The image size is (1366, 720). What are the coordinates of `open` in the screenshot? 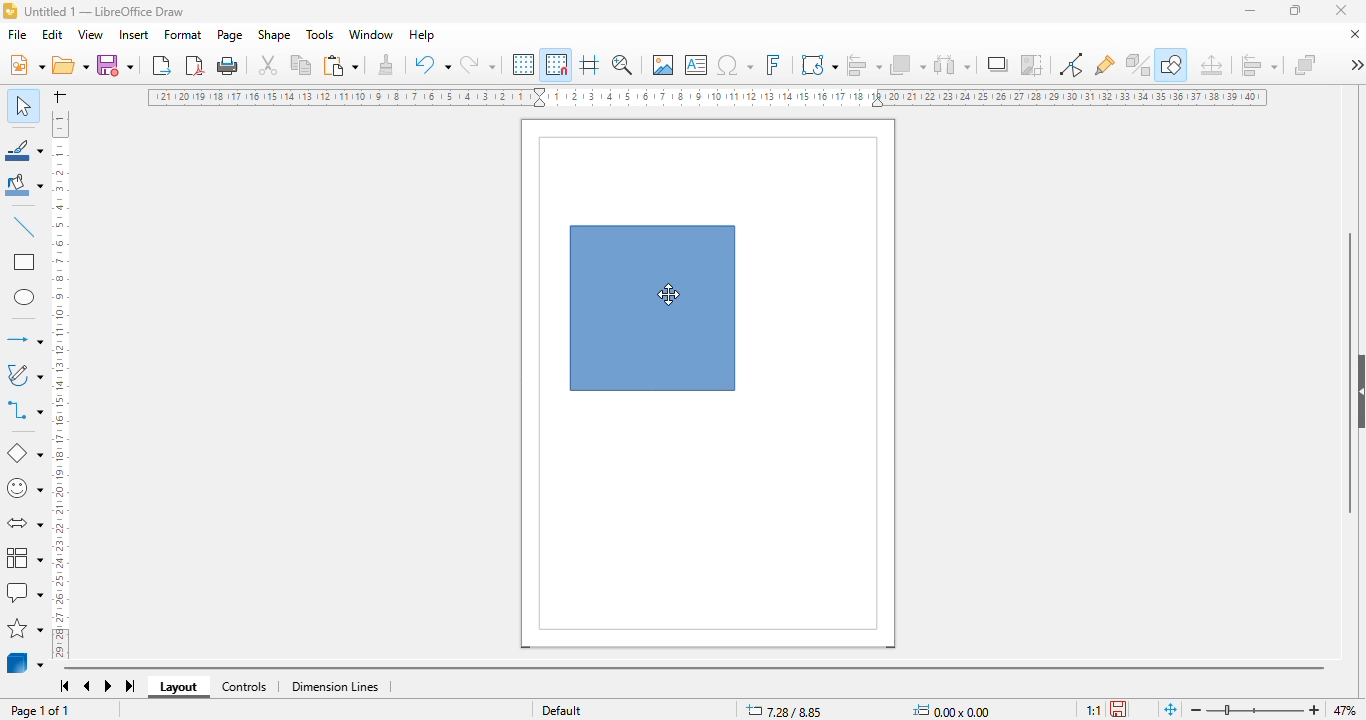 It's located at (69, 65).